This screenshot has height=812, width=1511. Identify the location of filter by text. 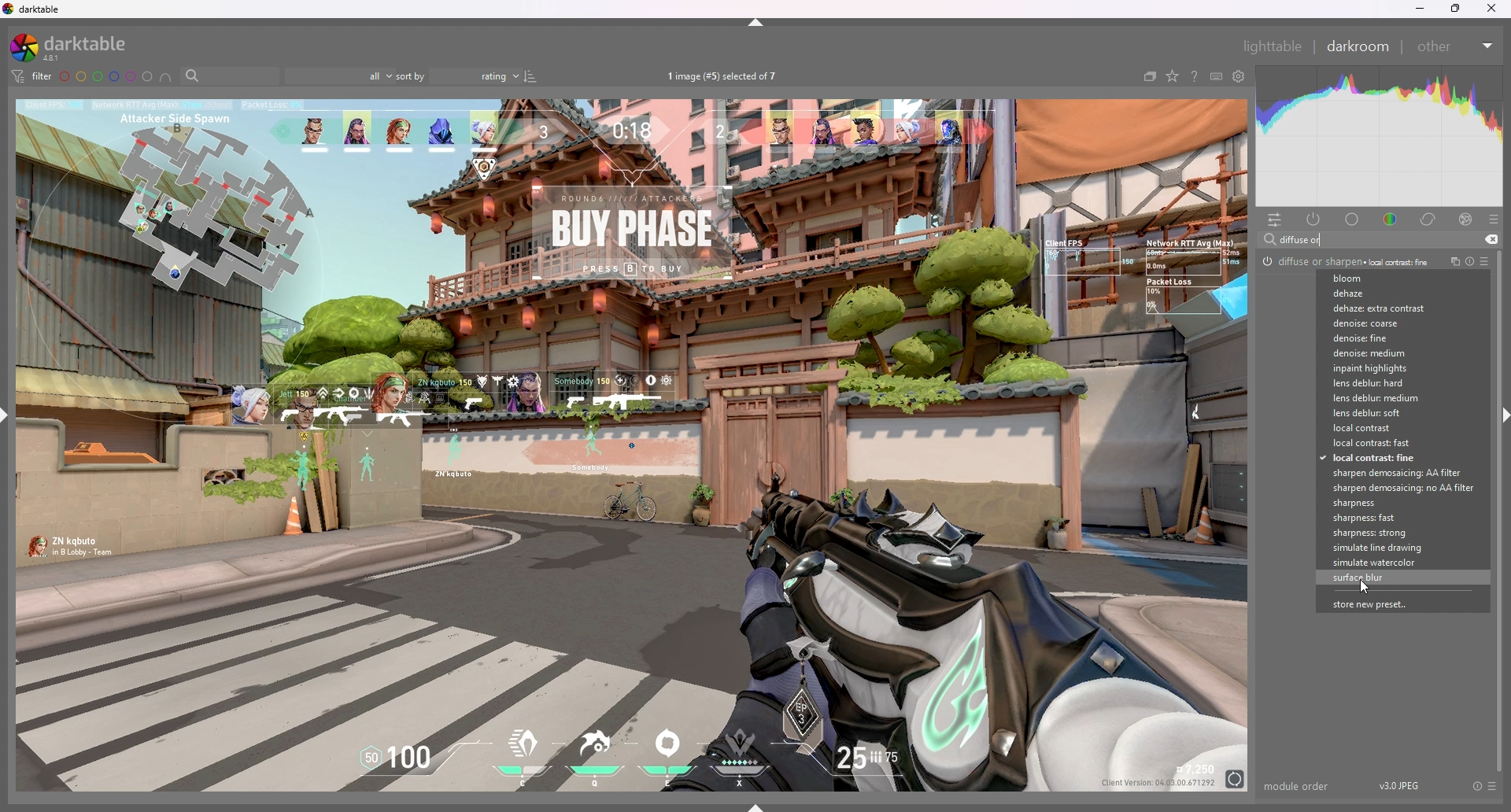
(229, 76).